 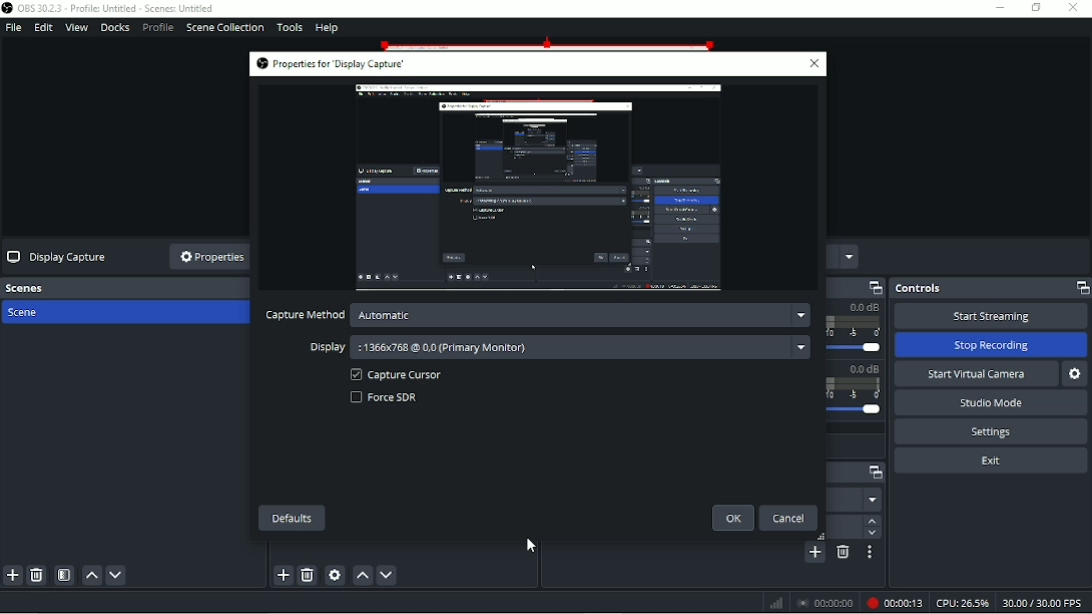 I want to click on Move scene up, so click(x=91, y=576).